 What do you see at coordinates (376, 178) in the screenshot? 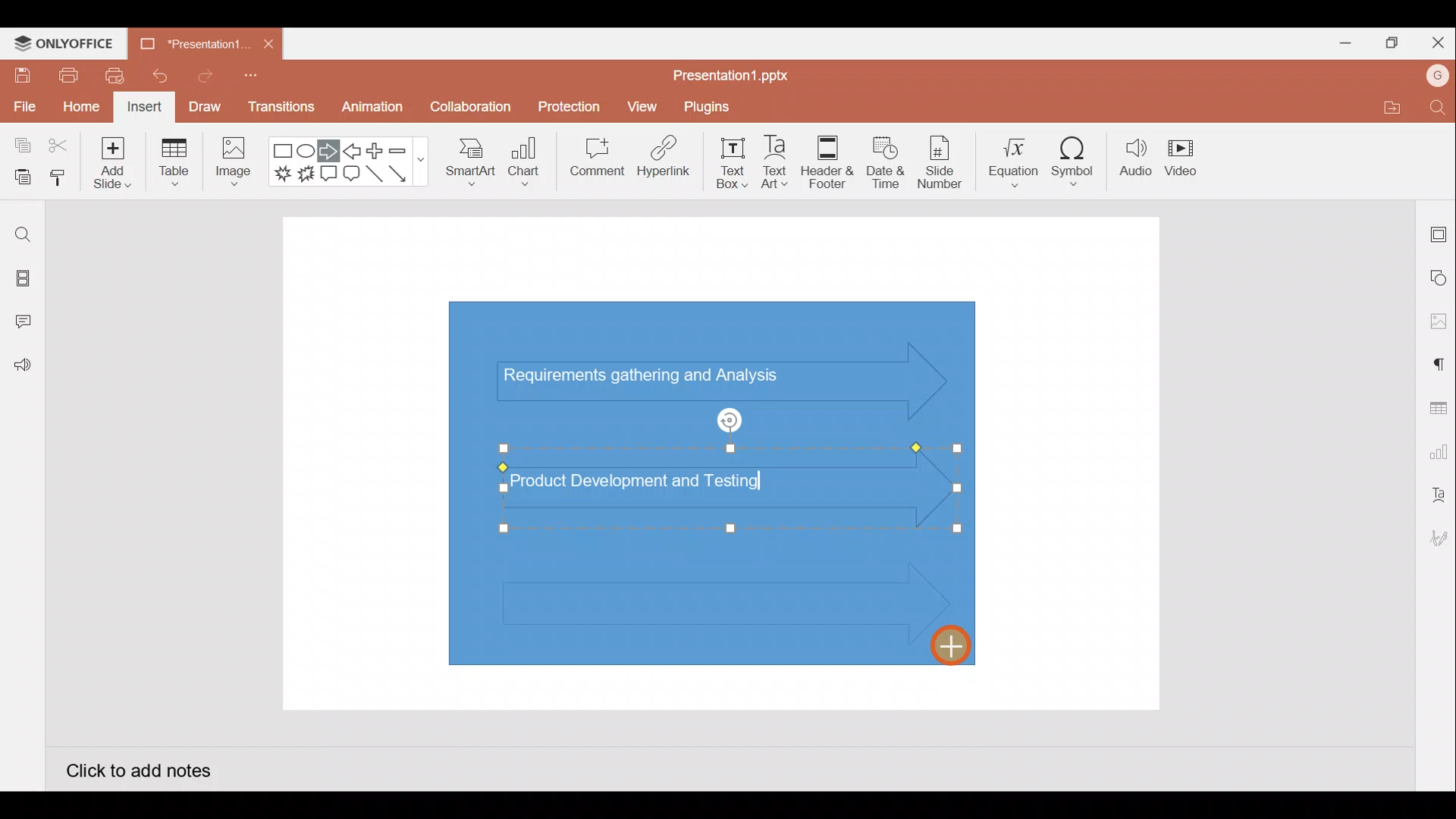
I see `Line` at bounding box center [376, 178].